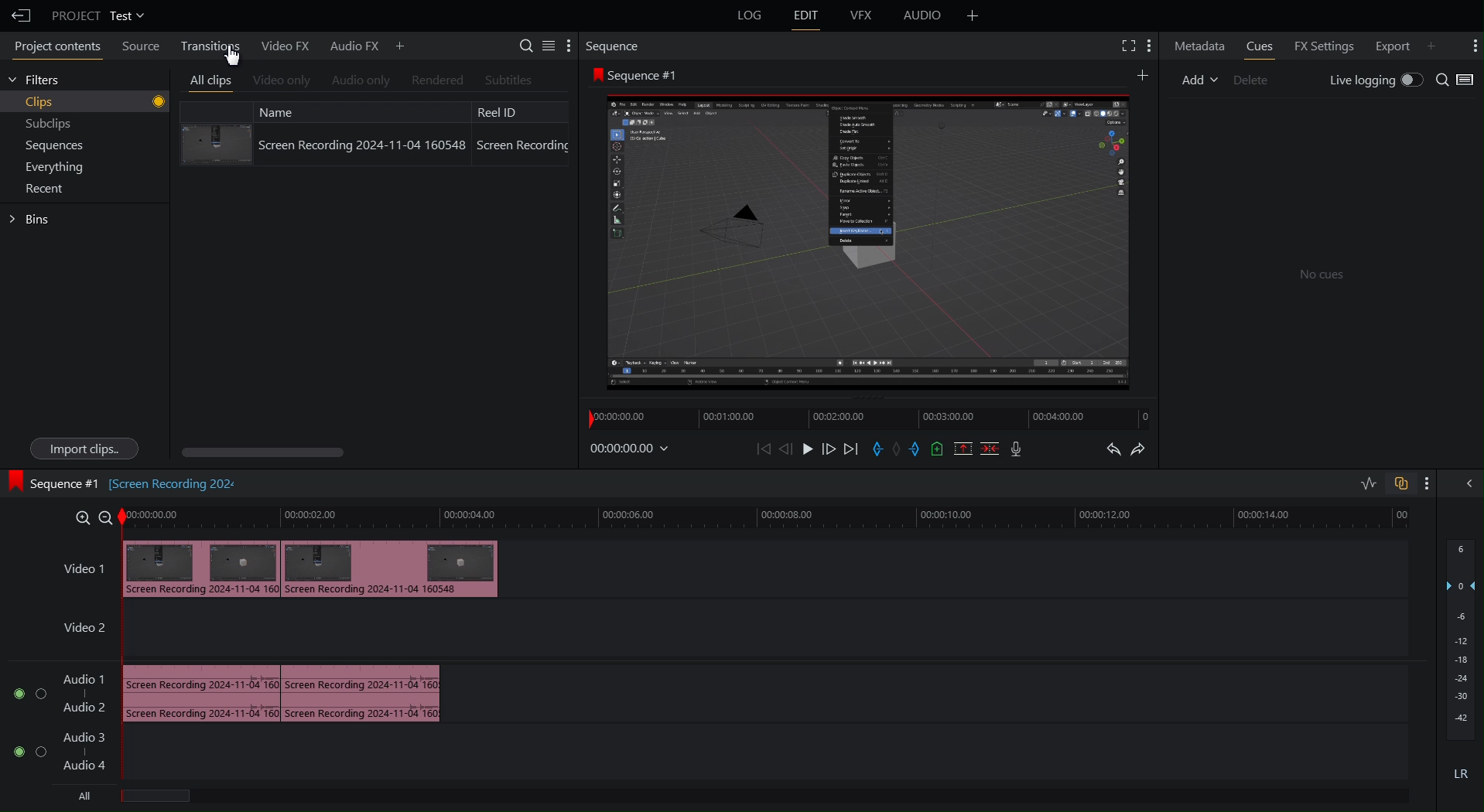 This screenshot has height=812, width=1484. I want to click on More, so click(1473, 44).